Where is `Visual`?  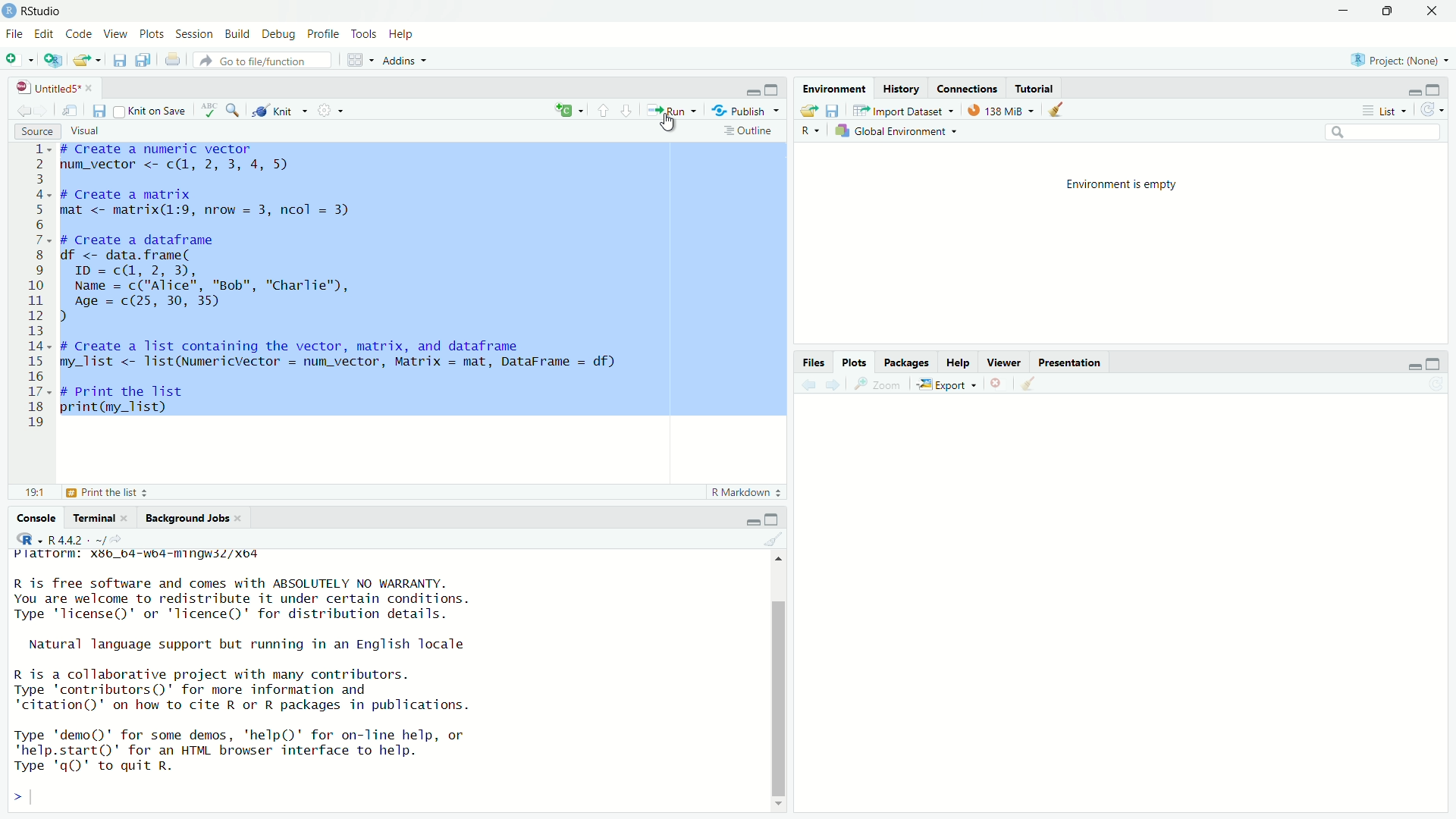
Visual is located at coordinates (93, 129).